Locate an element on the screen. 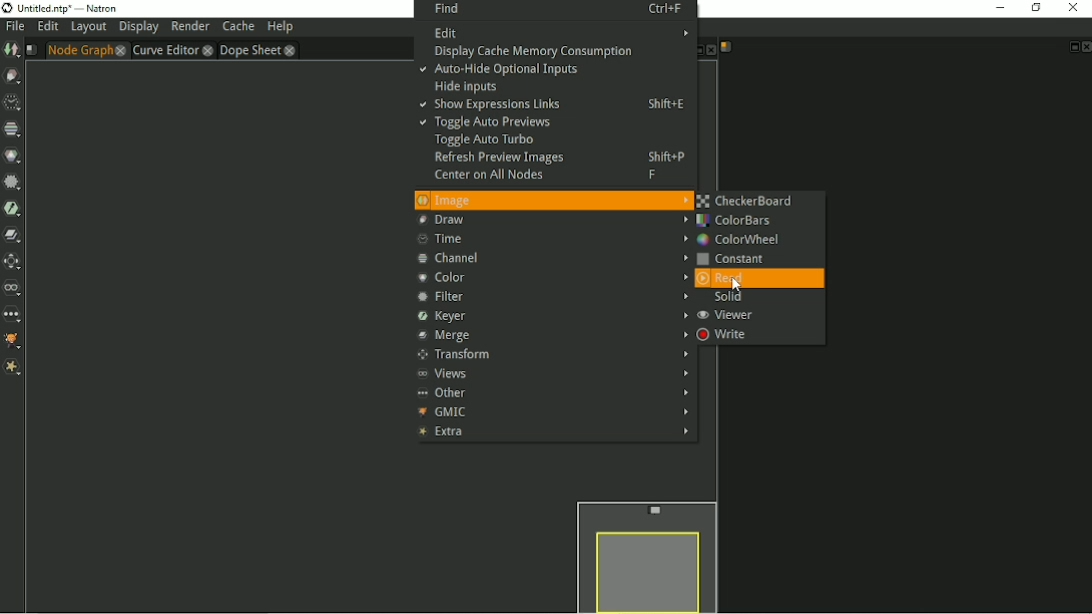 This screenshot has width=1092, height=614. Hide inputs is located at coordinates (468, 87).